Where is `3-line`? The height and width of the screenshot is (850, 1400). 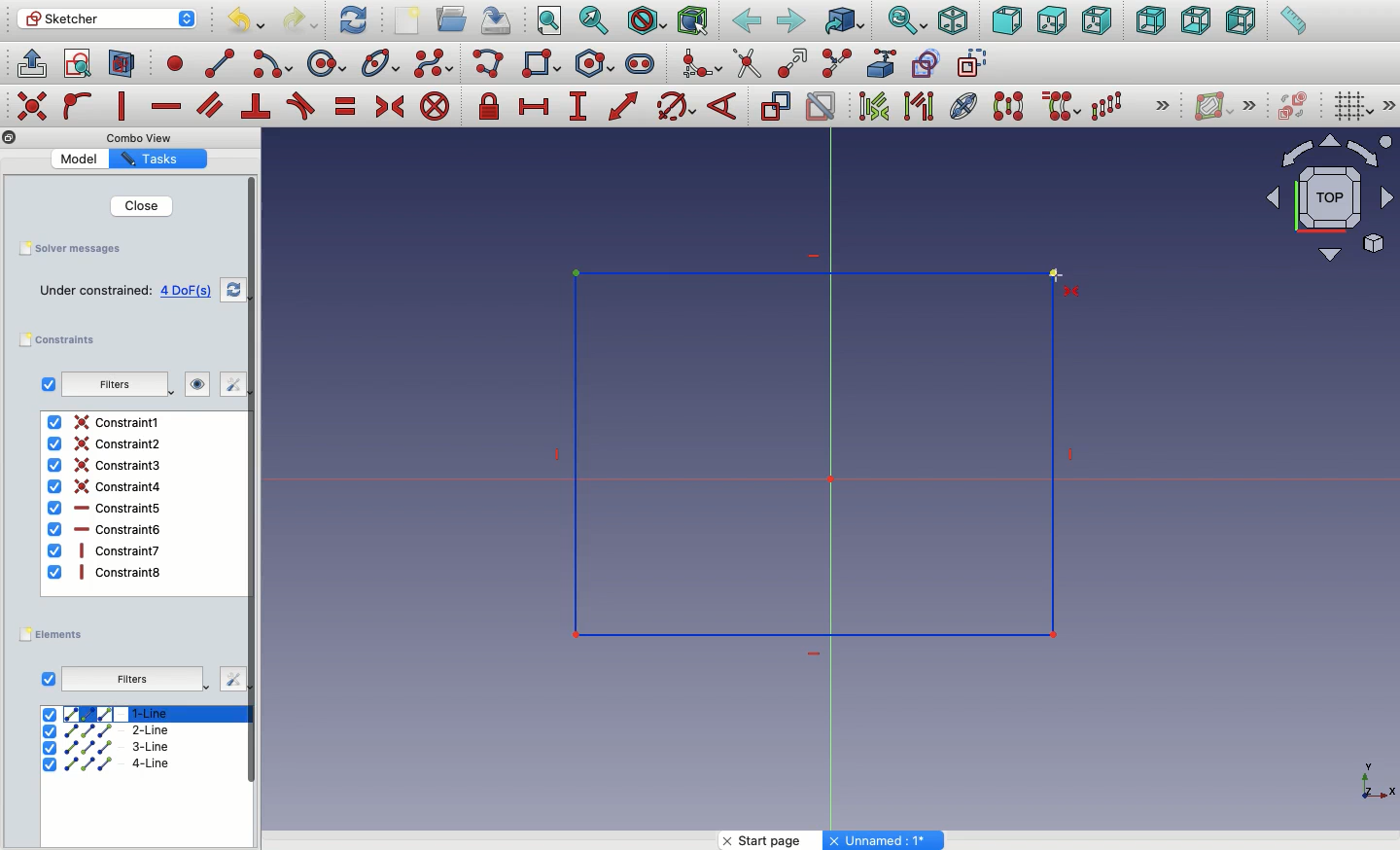 3-line is located at coordinates (108, 748).